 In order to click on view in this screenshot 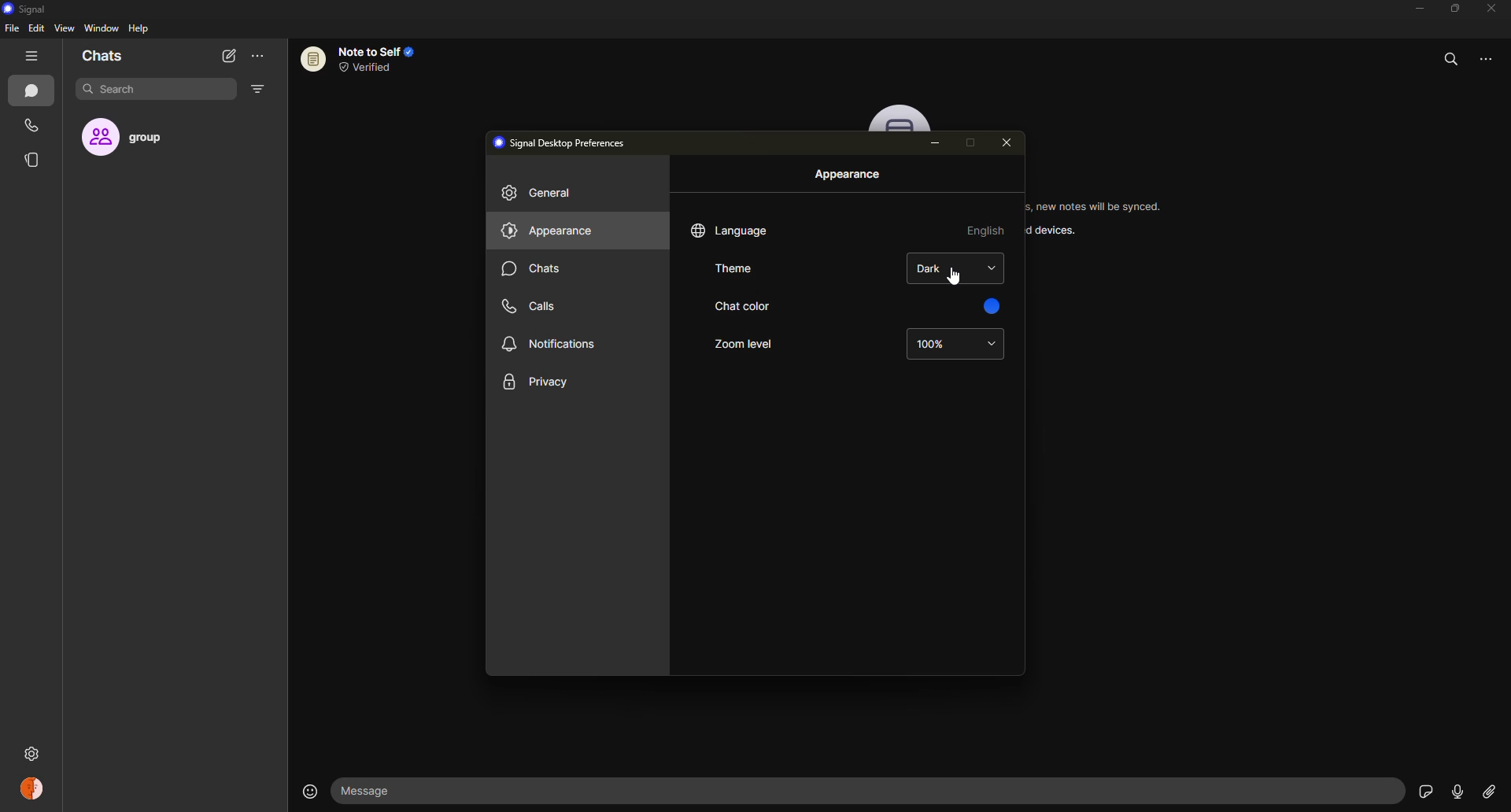, I will do `click(64, 28)`.